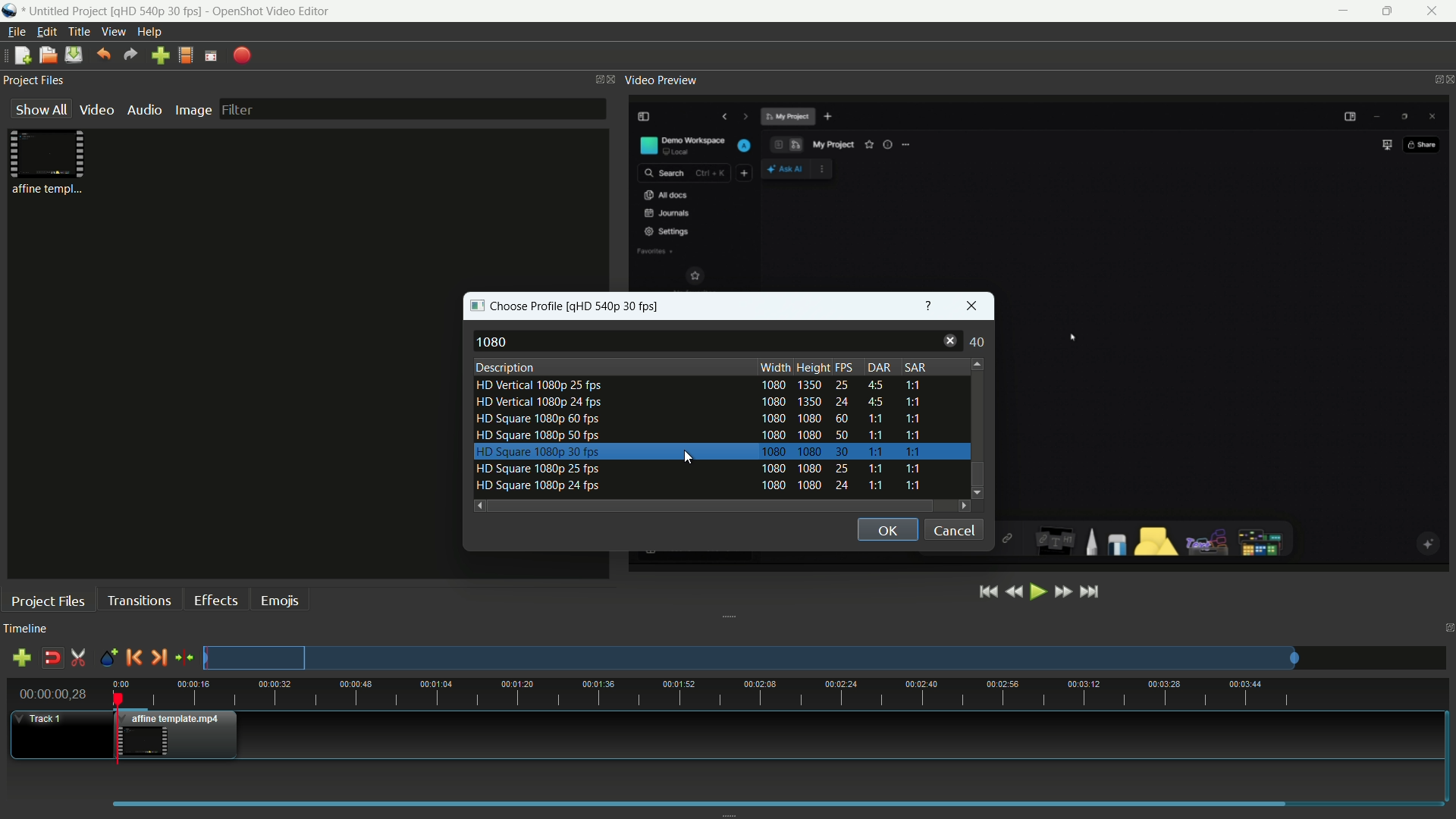  I want to click on video in timeline, so click(180, 735).